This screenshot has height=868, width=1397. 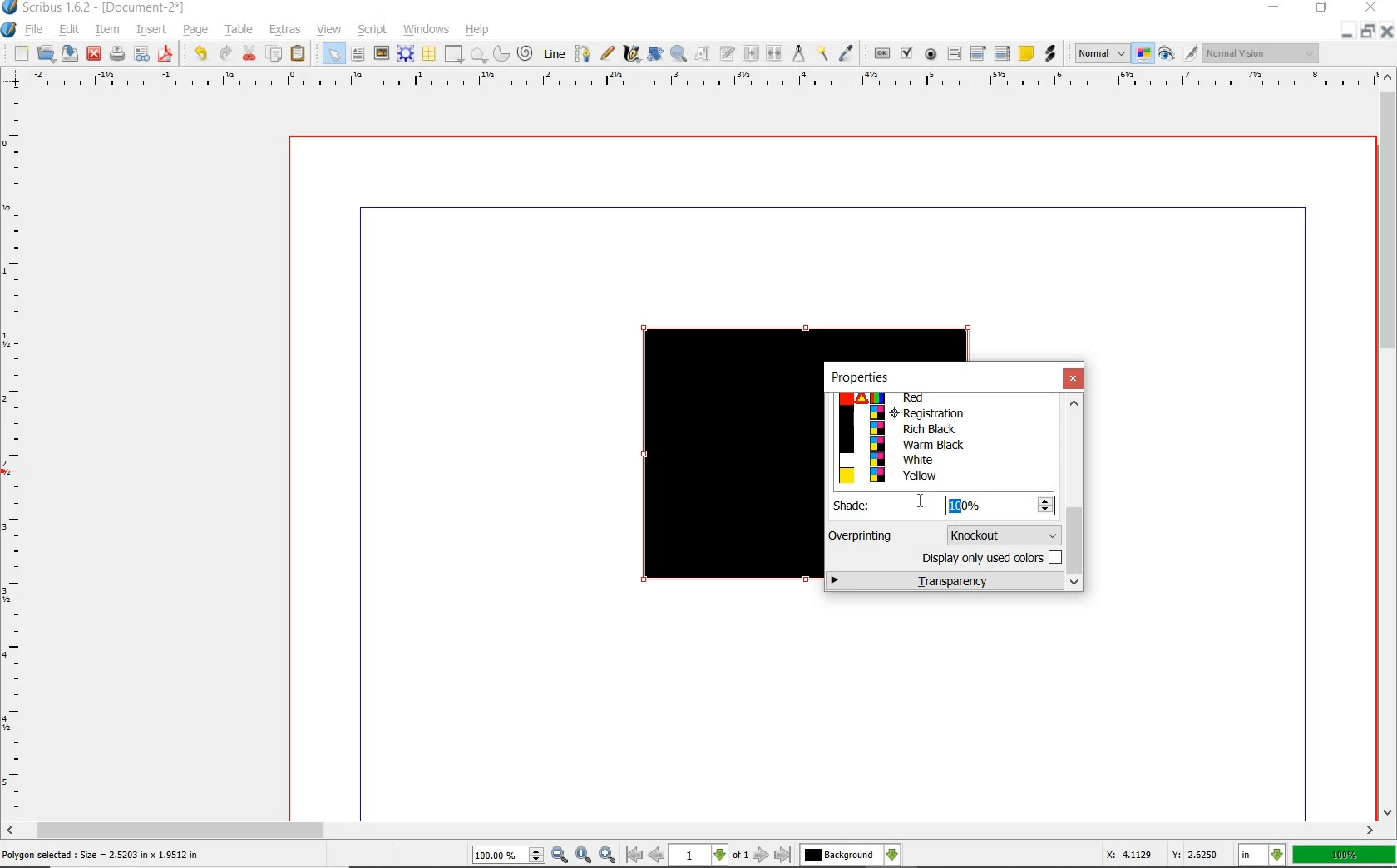 I want to click on polygon, so click(x=478, y=53).